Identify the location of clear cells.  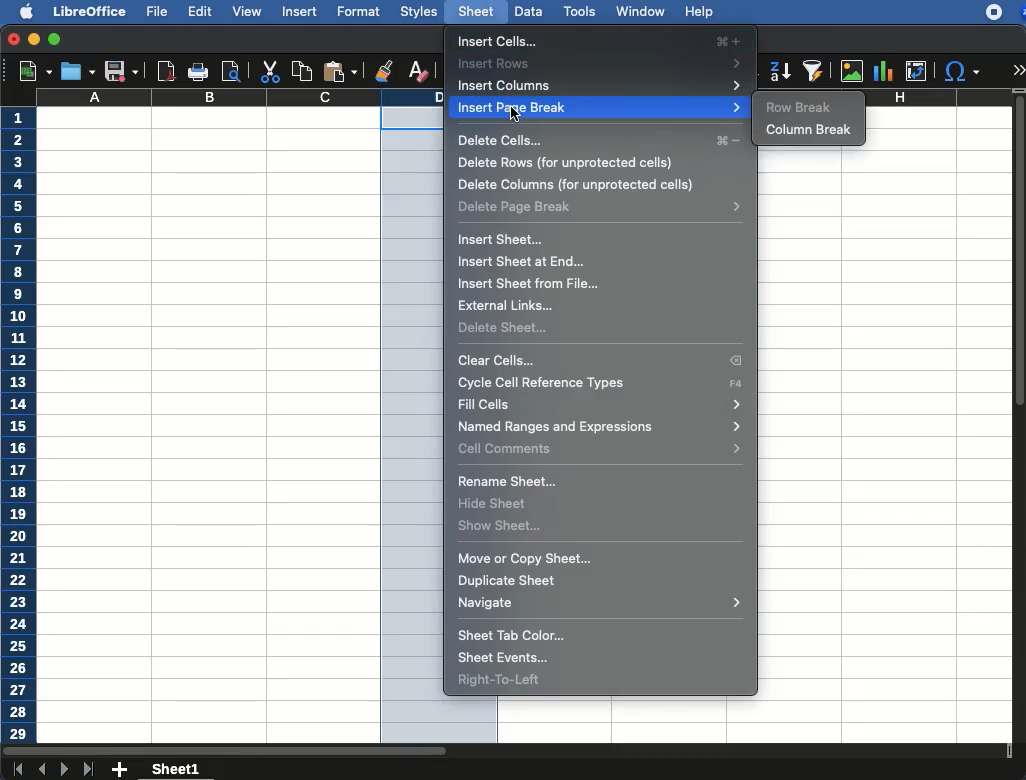
(601, 361).